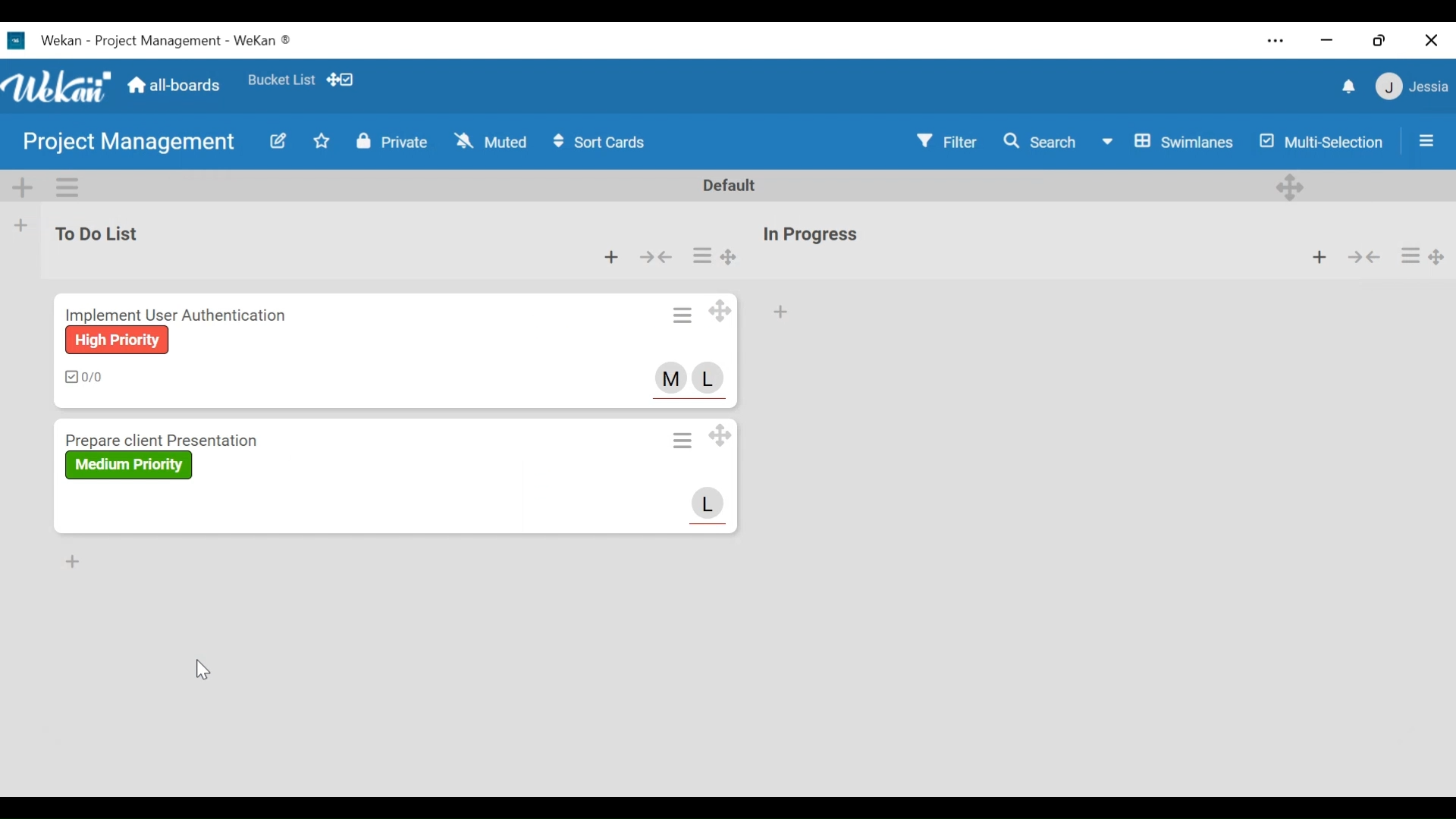 The height and width of the screenshot is (819, 1456). I want to click on label, so click(130, 465).